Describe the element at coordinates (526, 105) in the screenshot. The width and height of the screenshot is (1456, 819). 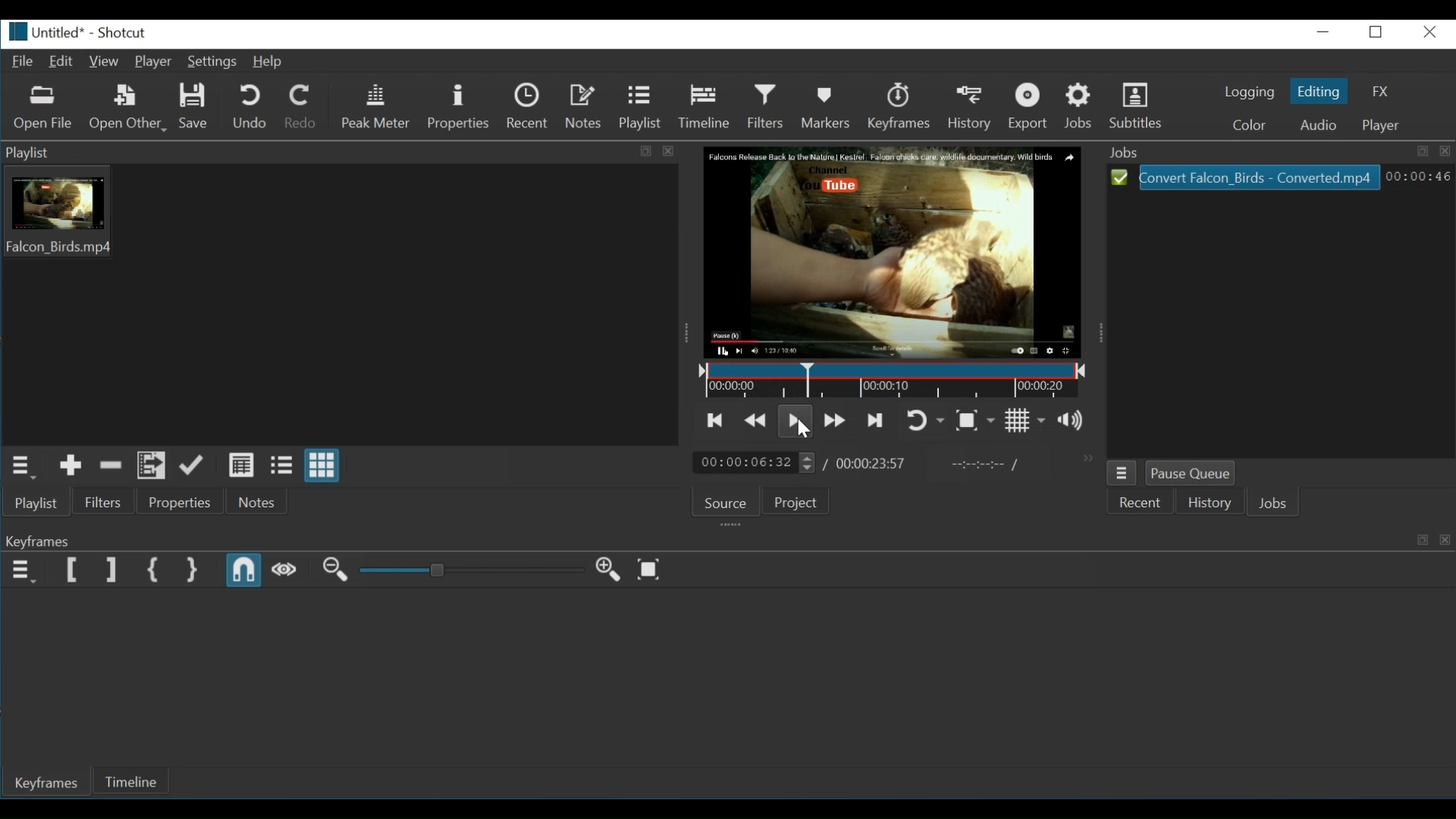
I see `Recent` at that location.